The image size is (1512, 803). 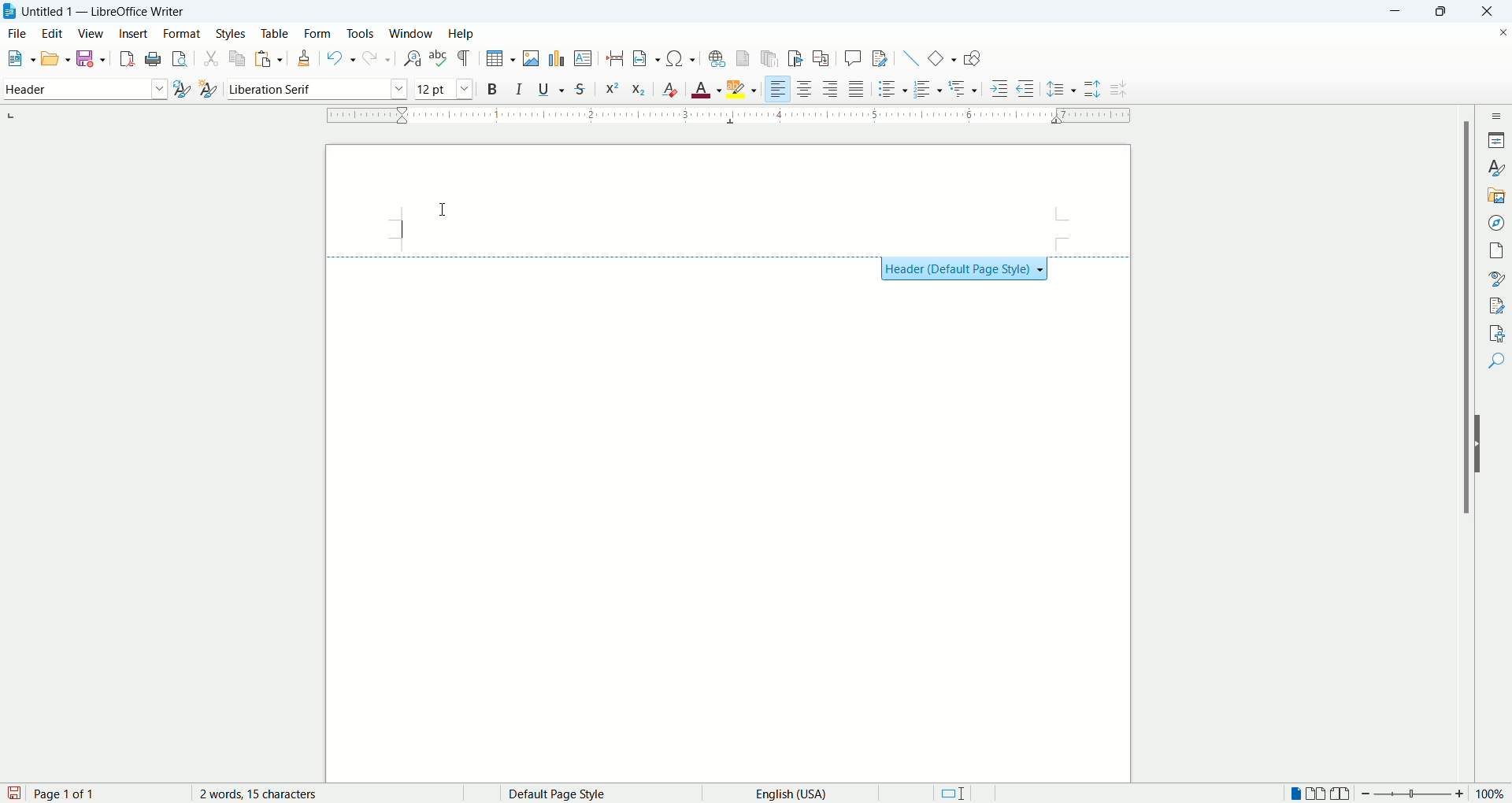 What do you see at coordinates (85, 90) in the screenshot?
I see `paragraph style` at bounding box center [85, 90].